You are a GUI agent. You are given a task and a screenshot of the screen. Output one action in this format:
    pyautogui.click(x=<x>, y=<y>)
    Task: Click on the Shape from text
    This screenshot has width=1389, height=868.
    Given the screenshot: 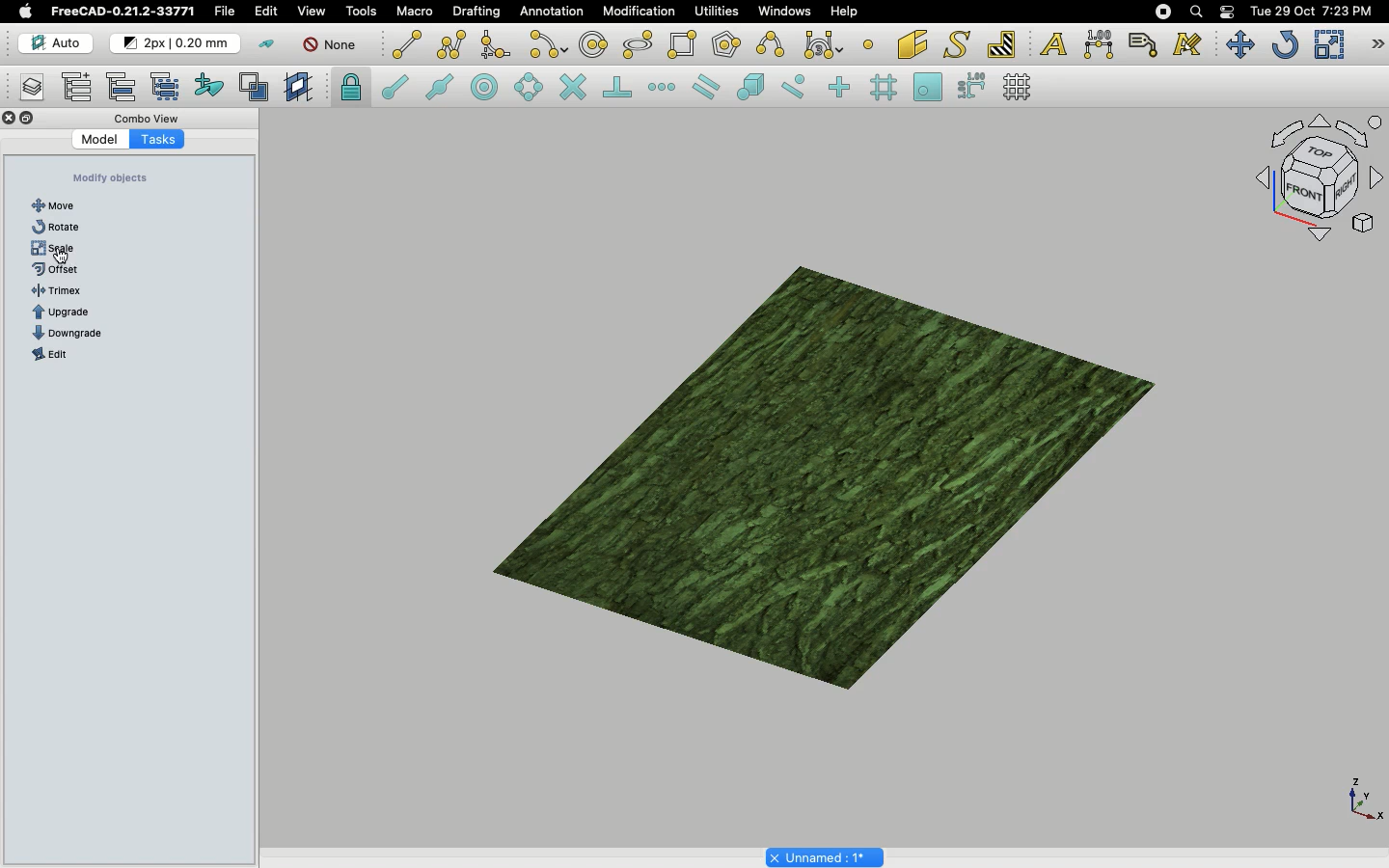 What is the action you would take?
    pyautogui.click(x=80, y=373)
    